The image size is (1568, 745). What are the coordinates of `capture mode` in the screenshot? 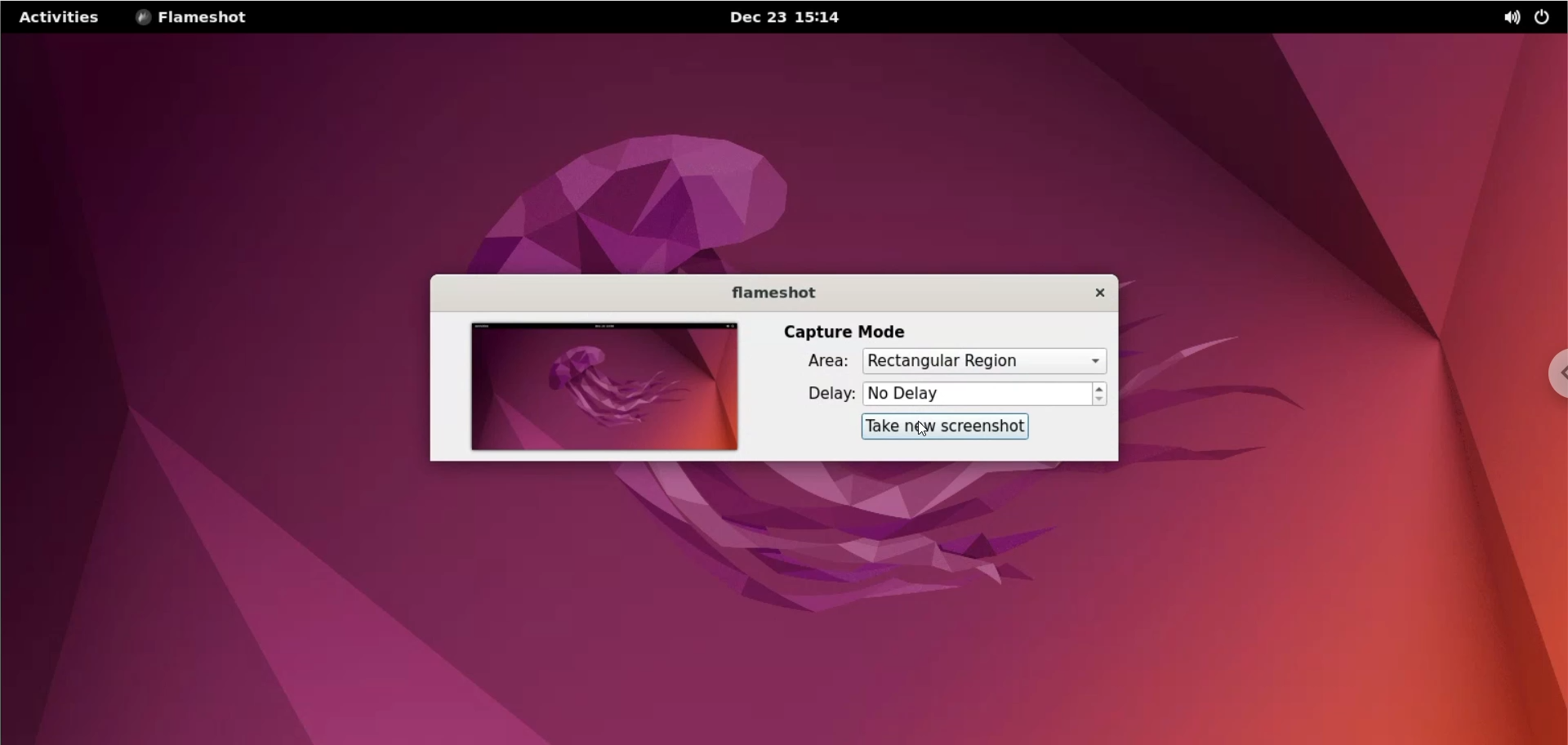 It's located at (841, 329).